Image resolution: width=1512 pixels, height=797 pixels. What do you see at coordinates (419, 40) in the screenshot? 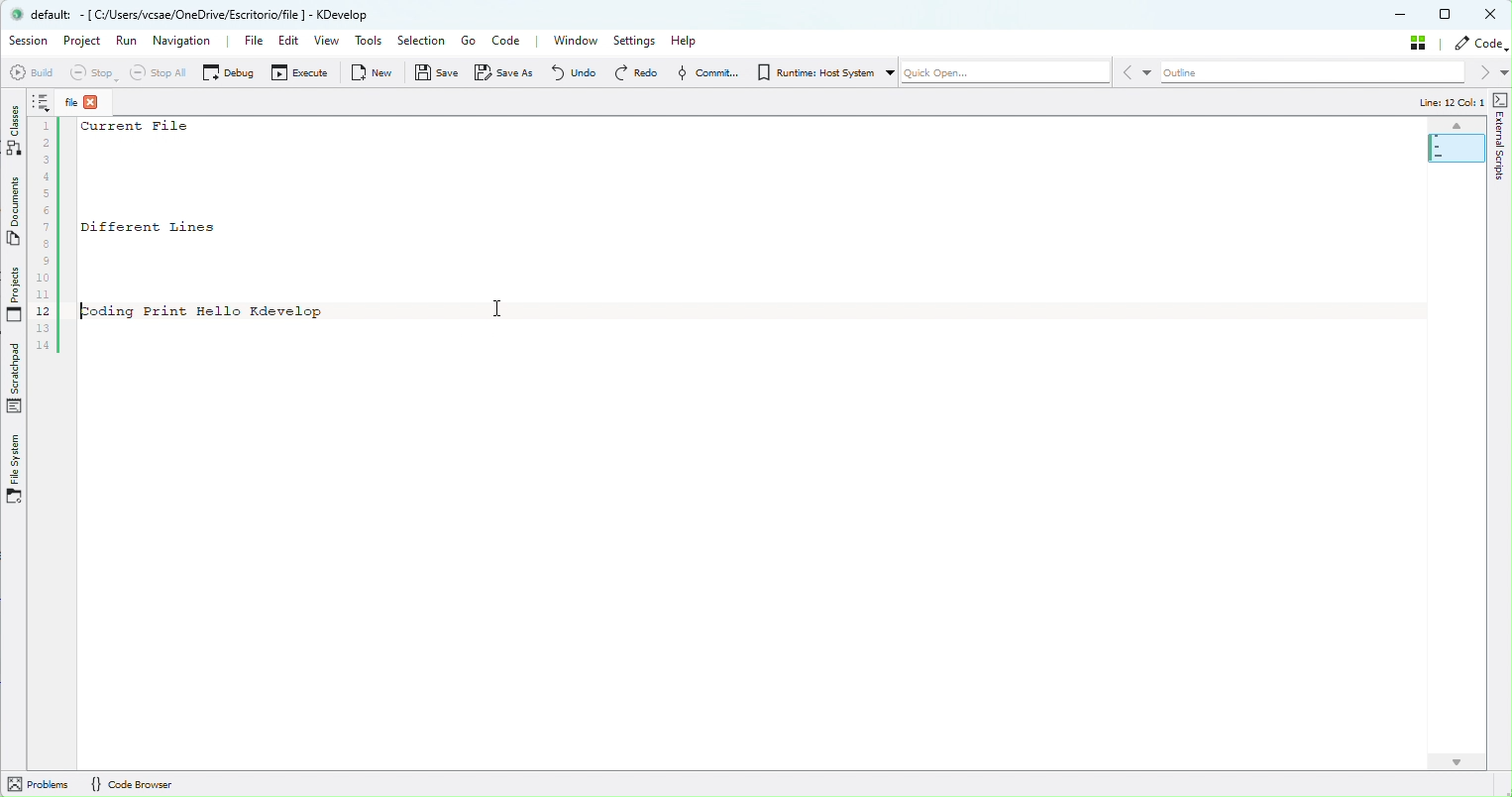
I see `Selection` at bounding box center [419, 40].